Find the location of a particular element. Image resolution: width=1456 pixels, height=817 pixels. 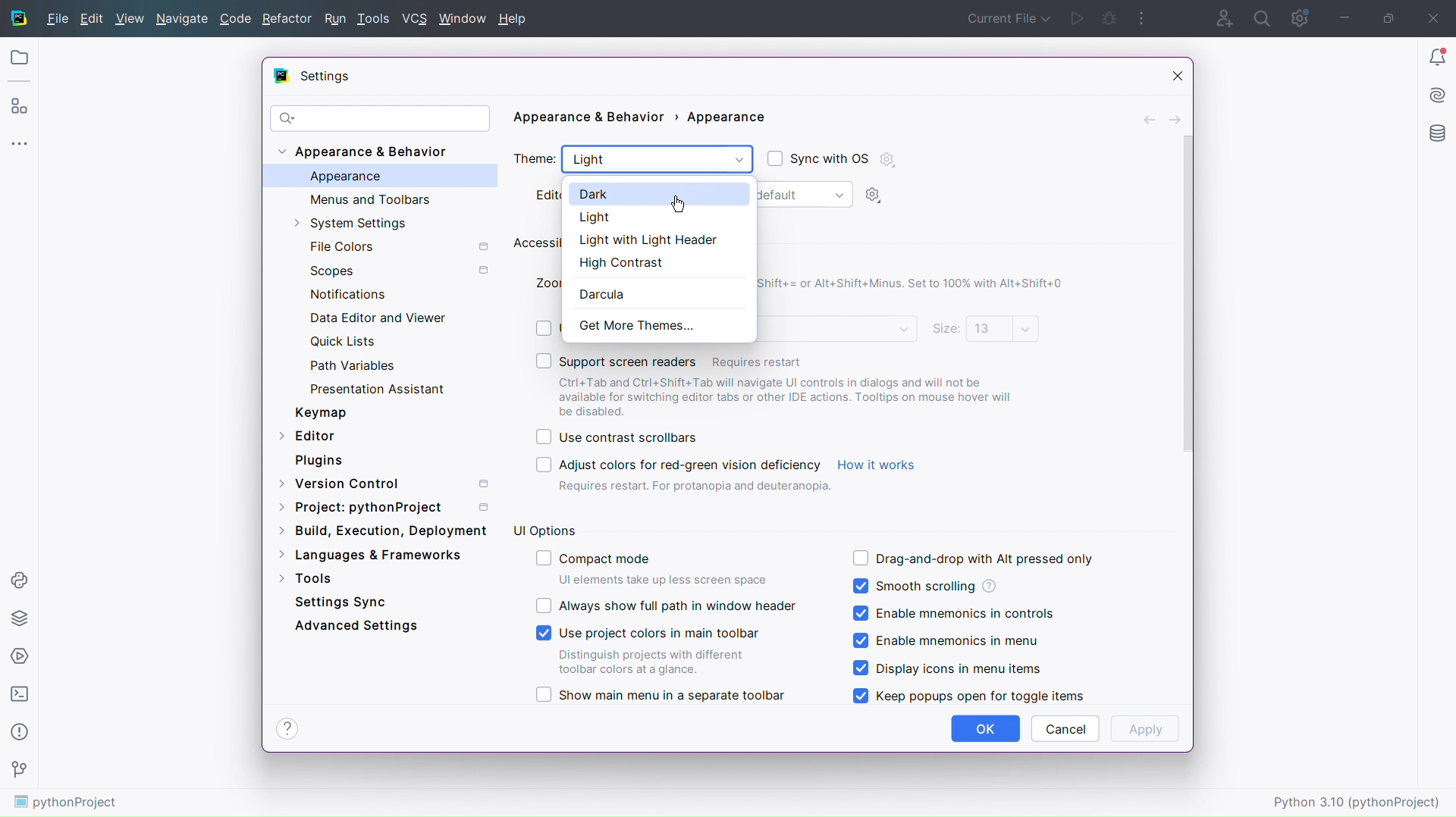

File is located at coordinates (55, 19).